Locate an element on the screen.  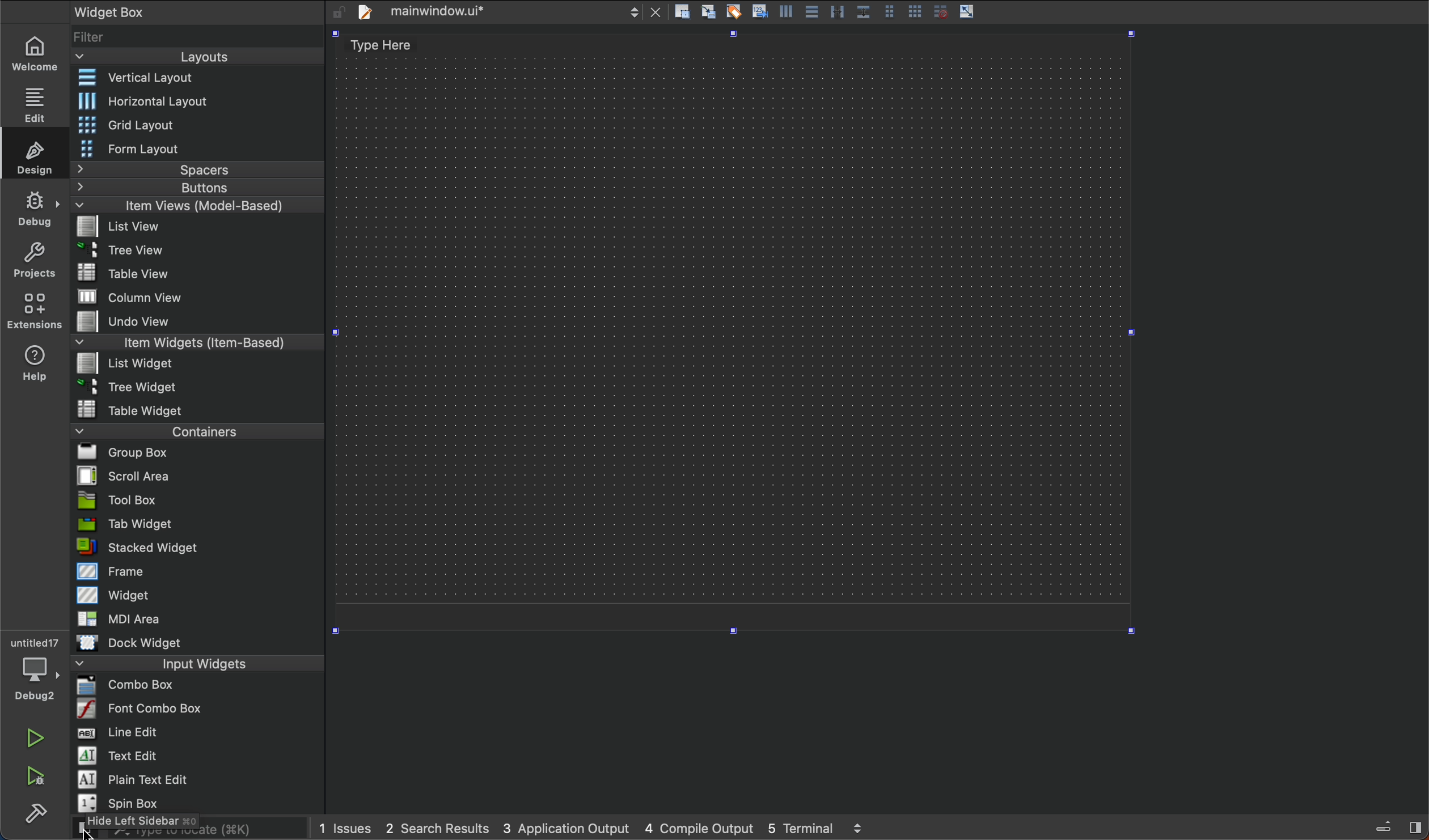
Plain Text Edit is located at coordinates (134, 779).